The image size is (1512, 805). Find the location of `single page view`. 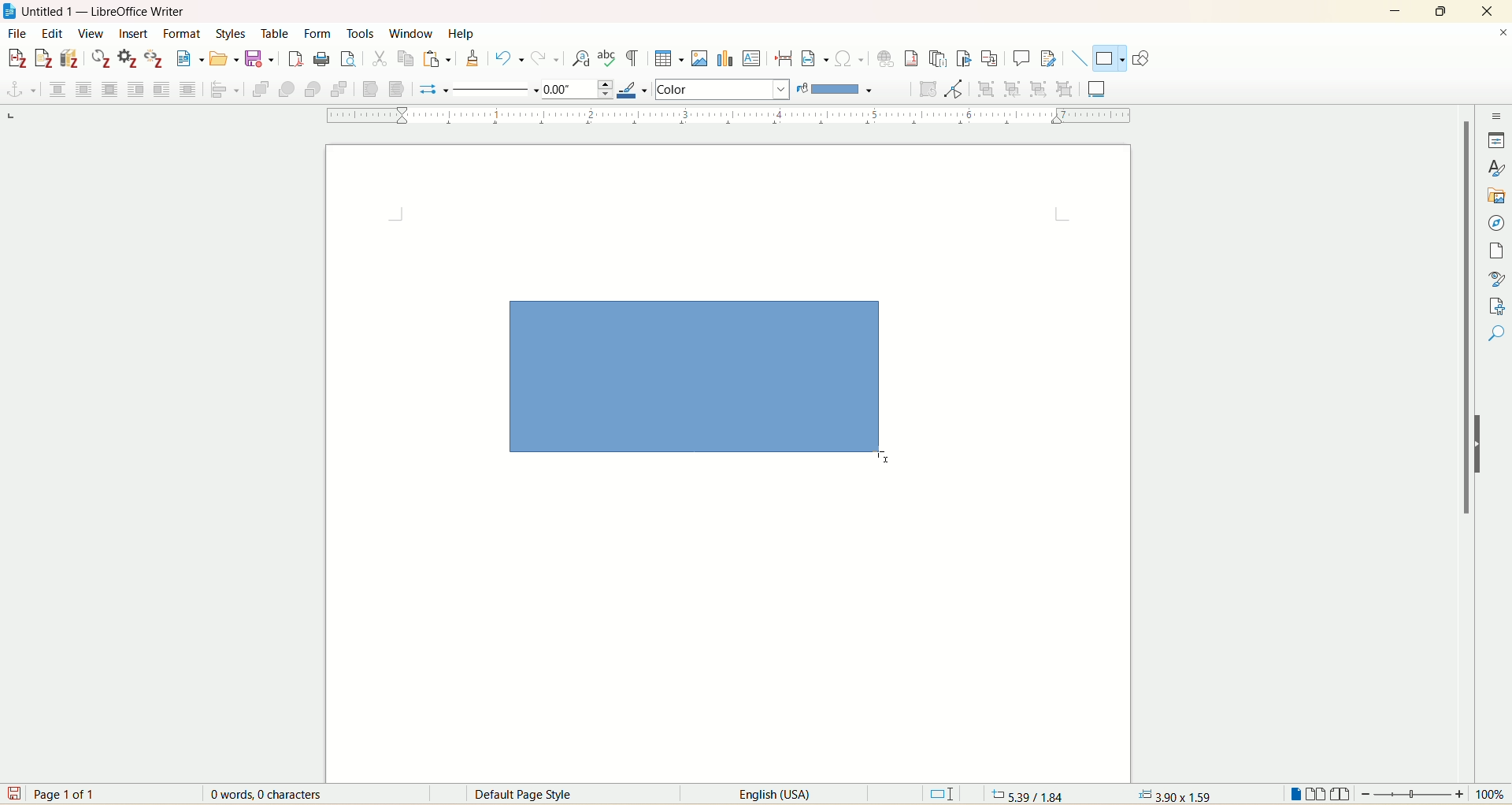

single page view is located at coordinates (1295, 793).